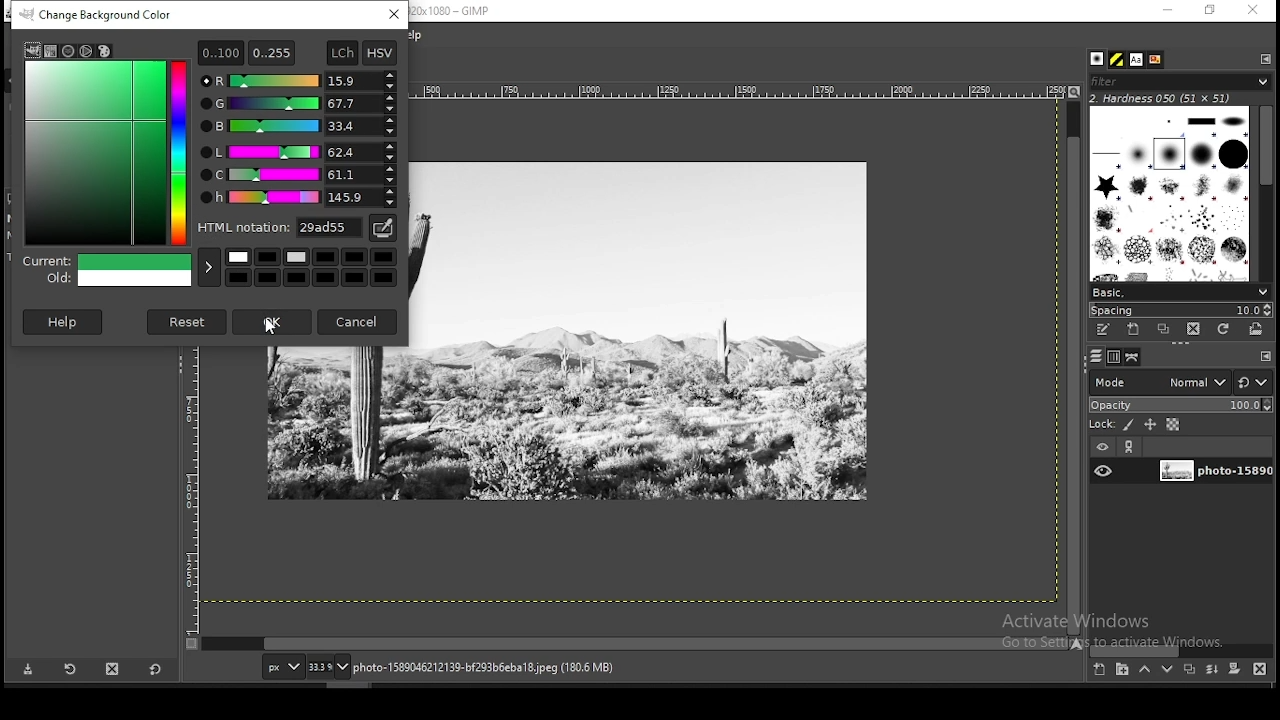 The width and height of the screenshot is (1280, 720). What do you see at coordinates (299, 198) in the screenshot?
I see `lvh hue` at bounding box center [299, 198].